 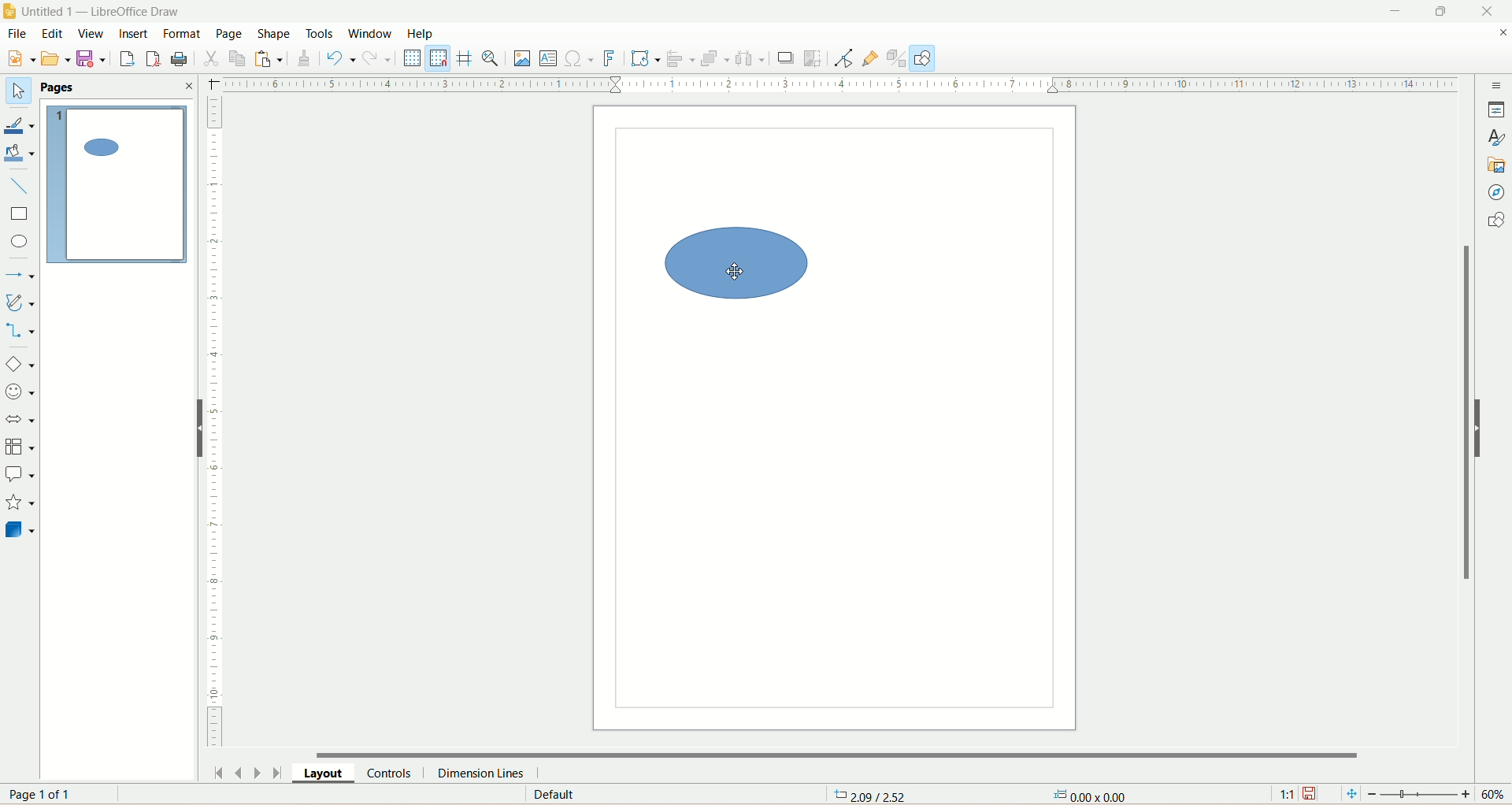 What do you see at coordinates (847, 60) in the screenshot?
I see `point edit mode` at bounding box center [847, 60].